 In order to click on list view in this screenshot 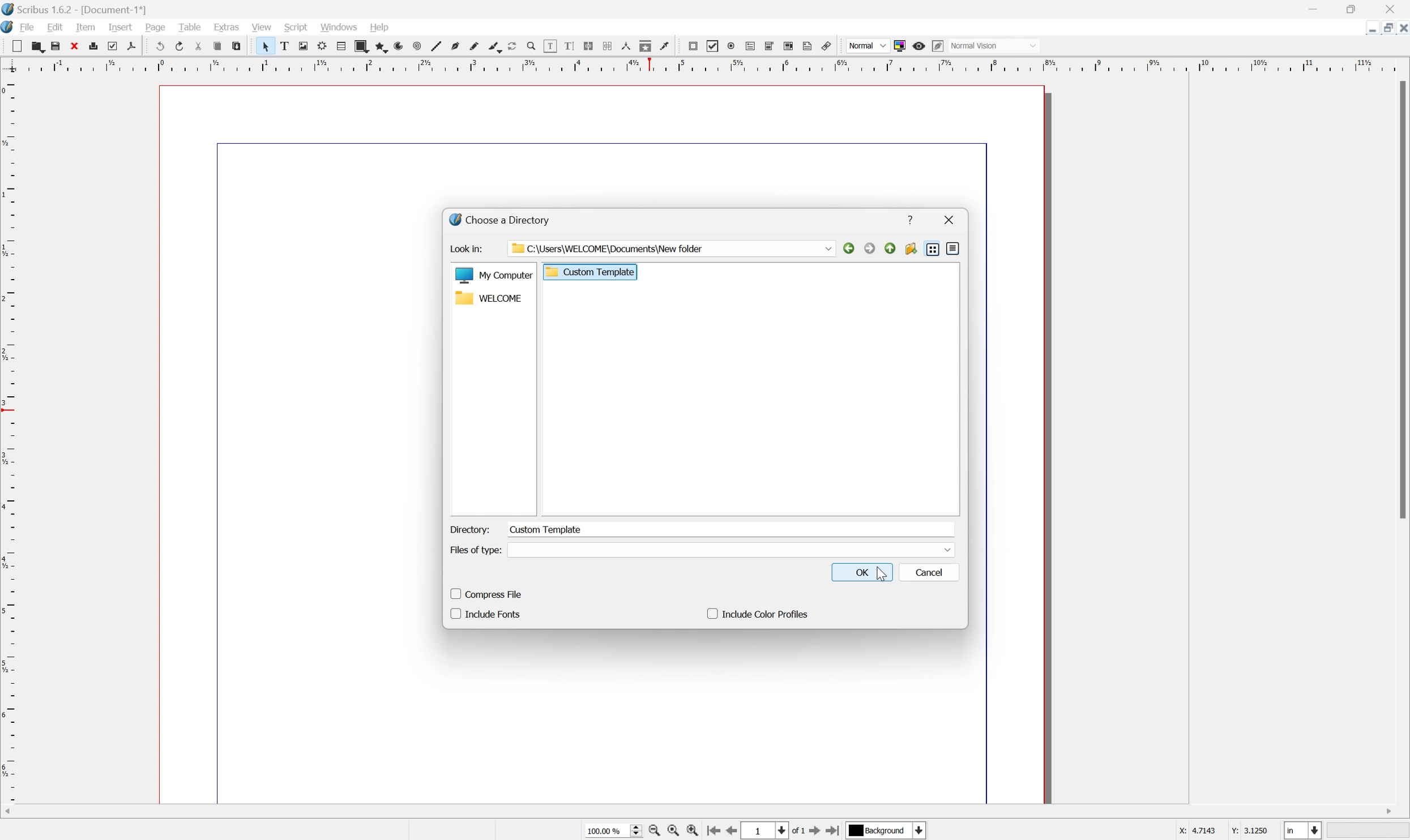, I will do `click(933, 250)`.